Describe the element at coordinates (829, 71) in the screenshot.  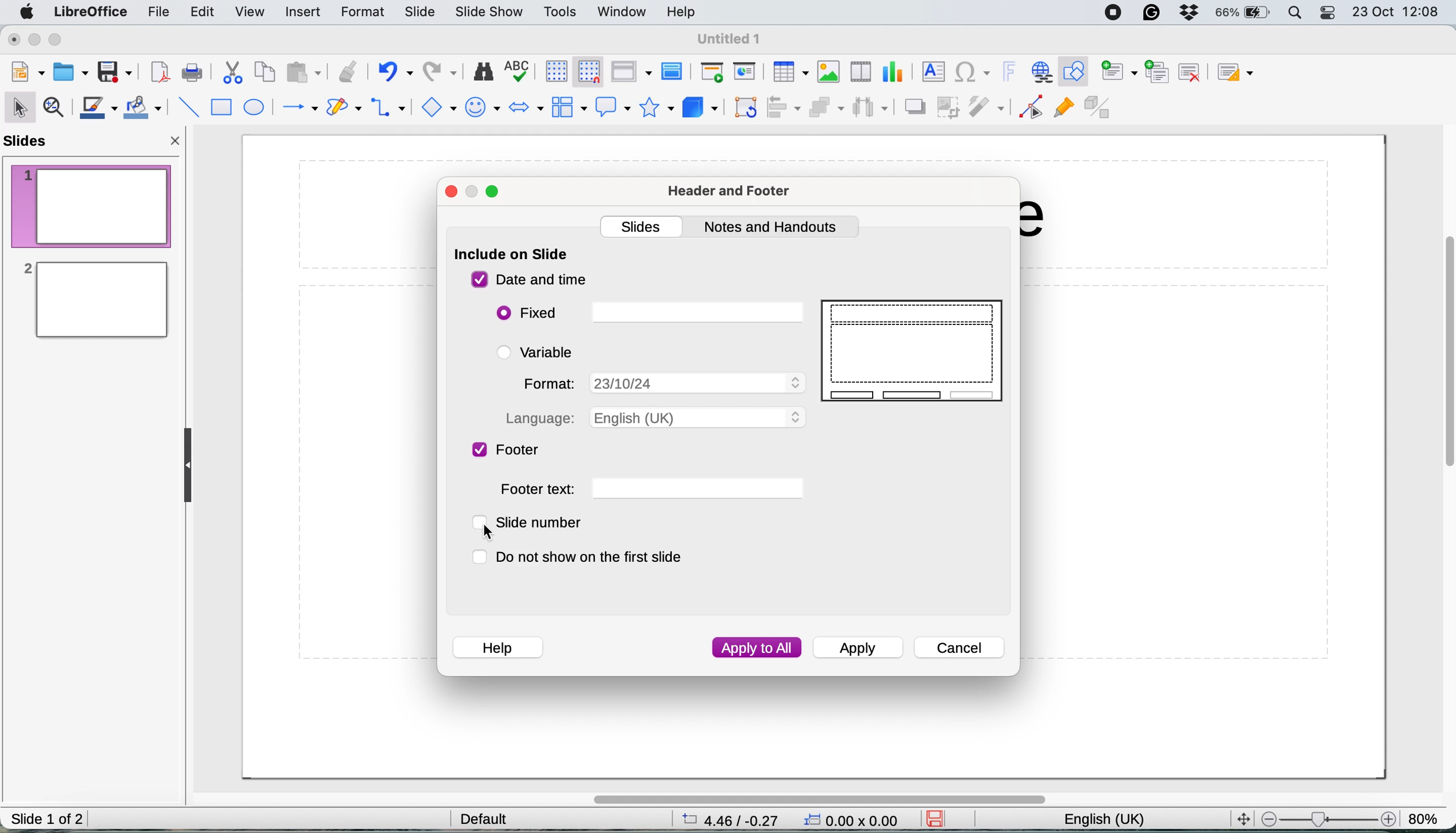
I see `insert chart` at that location.